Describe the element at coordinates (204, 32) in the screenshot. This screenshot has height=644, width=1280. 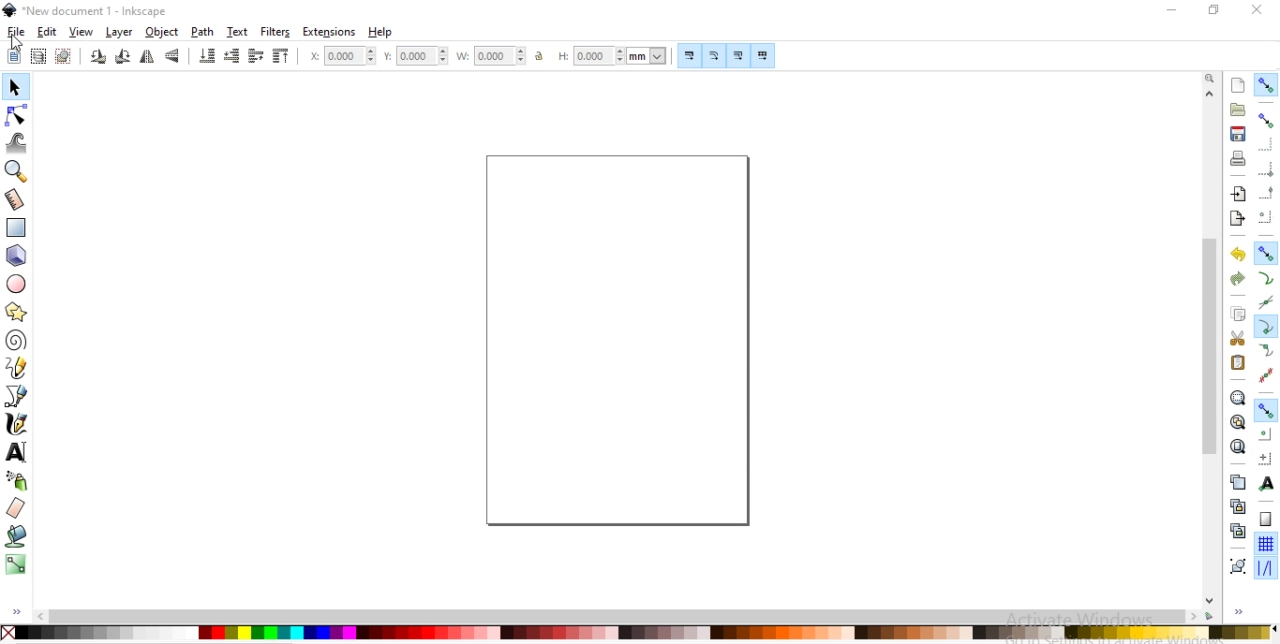
I see `path` at that location.